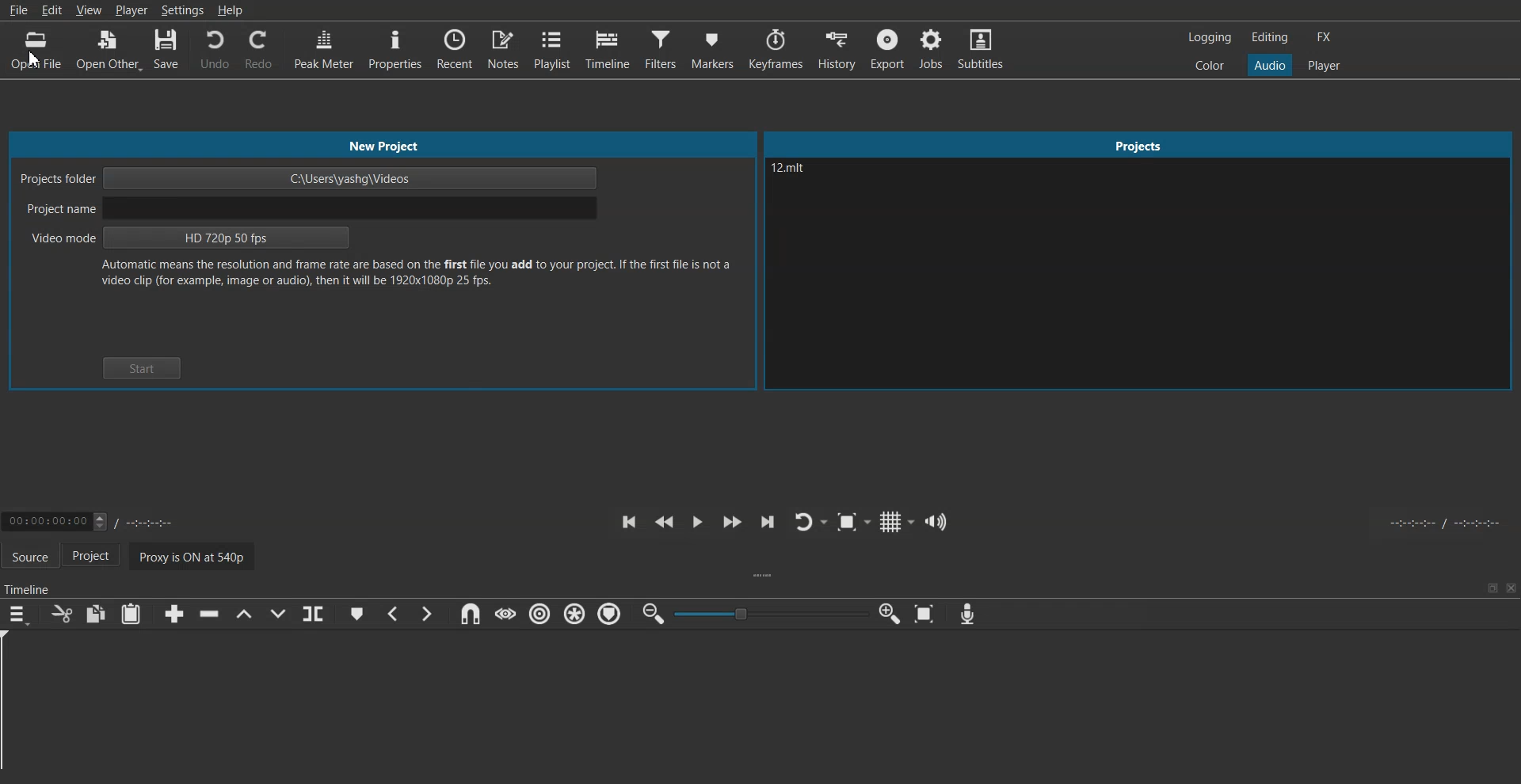  Describe the element at coordinates (173, 614) in the screenshot. I see `Append` at that location.